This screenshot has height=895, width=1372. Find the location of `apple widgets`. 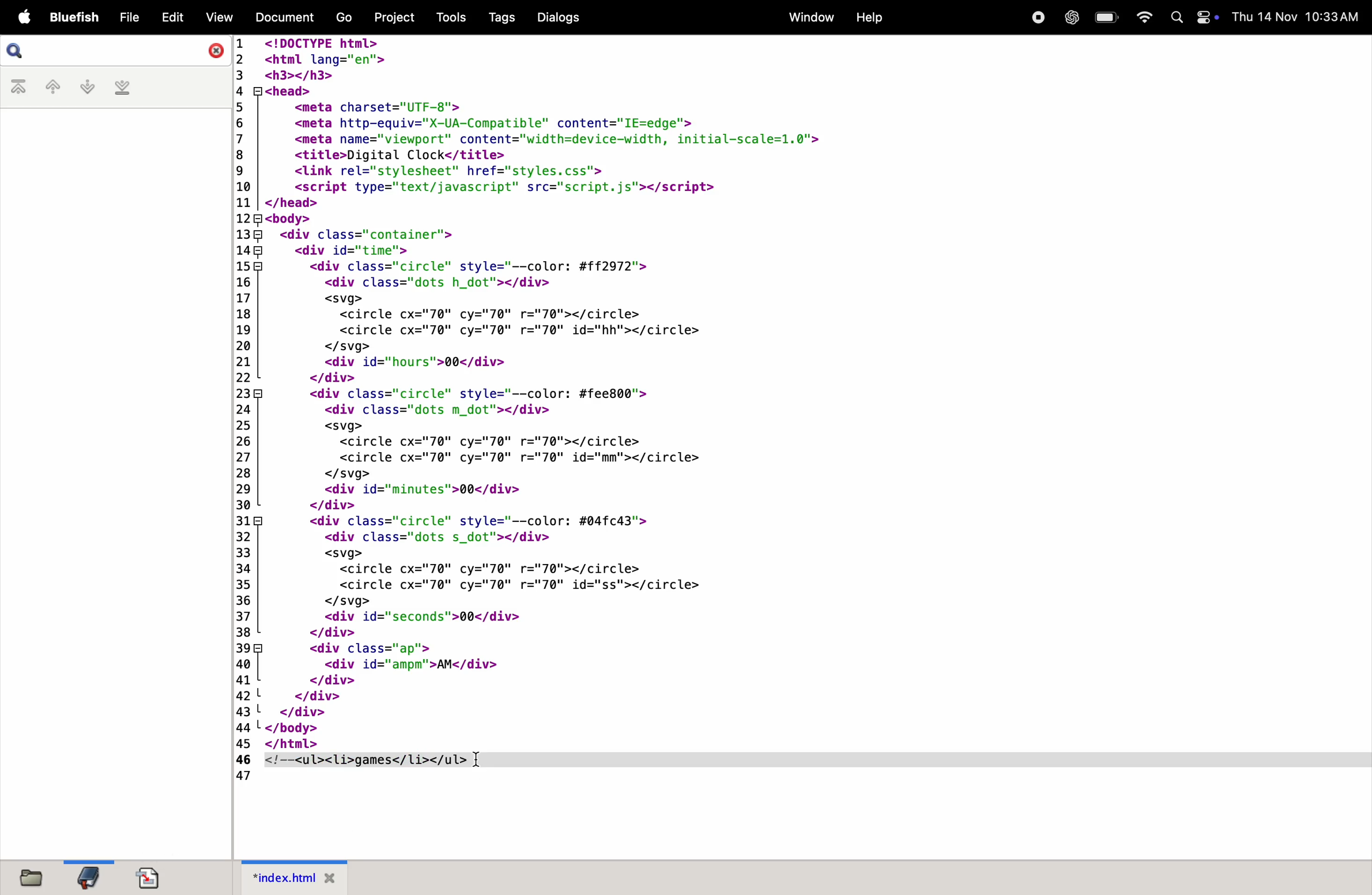

apple widgets is located at coordinates (1193, 17).